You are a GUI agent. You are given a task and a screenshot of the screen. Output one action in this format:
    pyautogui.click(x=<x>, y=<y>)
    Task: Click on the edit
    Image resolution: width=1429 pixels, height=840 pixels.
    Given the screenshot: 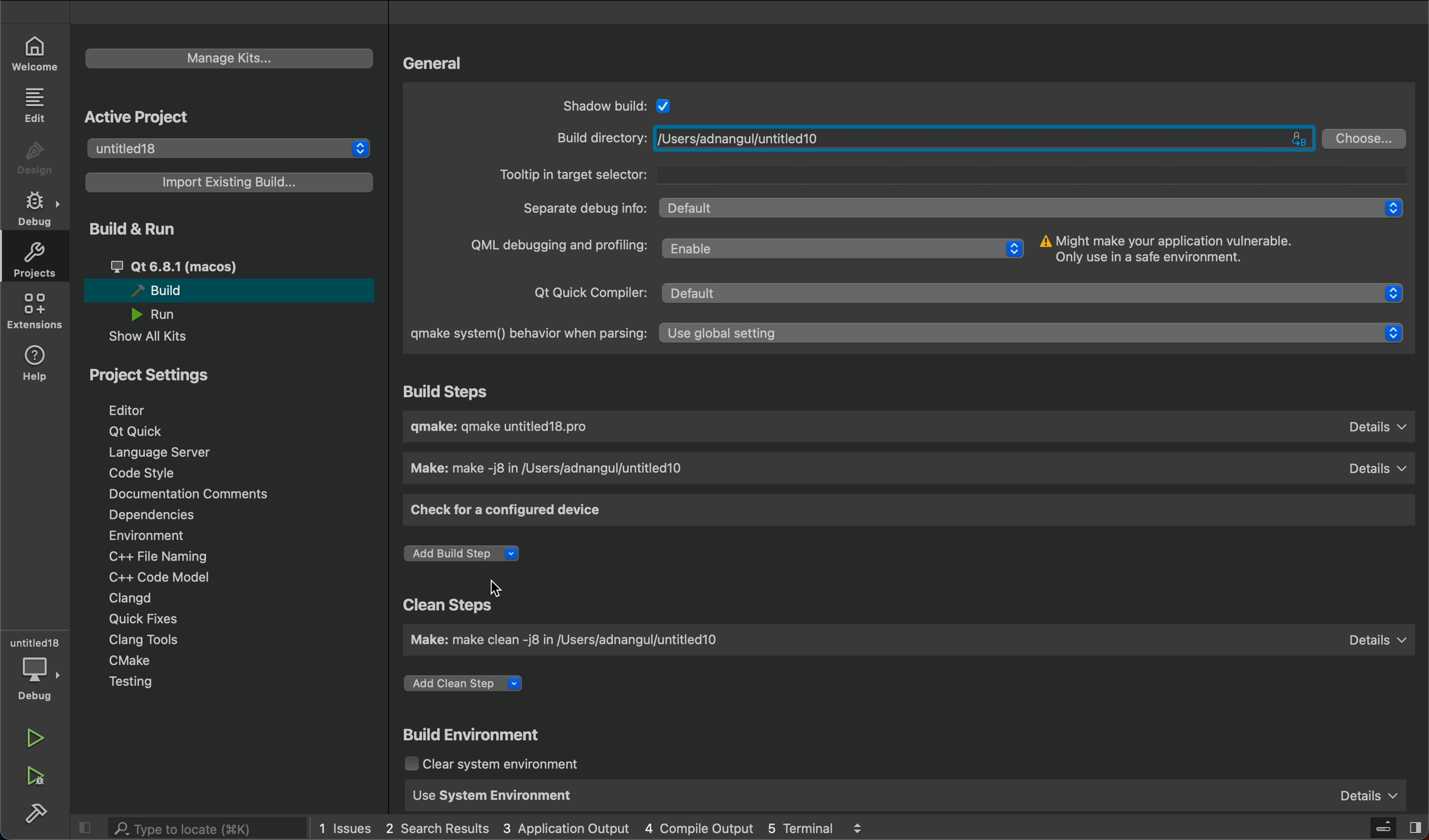 What is the action you would take?
    pyautogui.click(x=34, y=105)
    